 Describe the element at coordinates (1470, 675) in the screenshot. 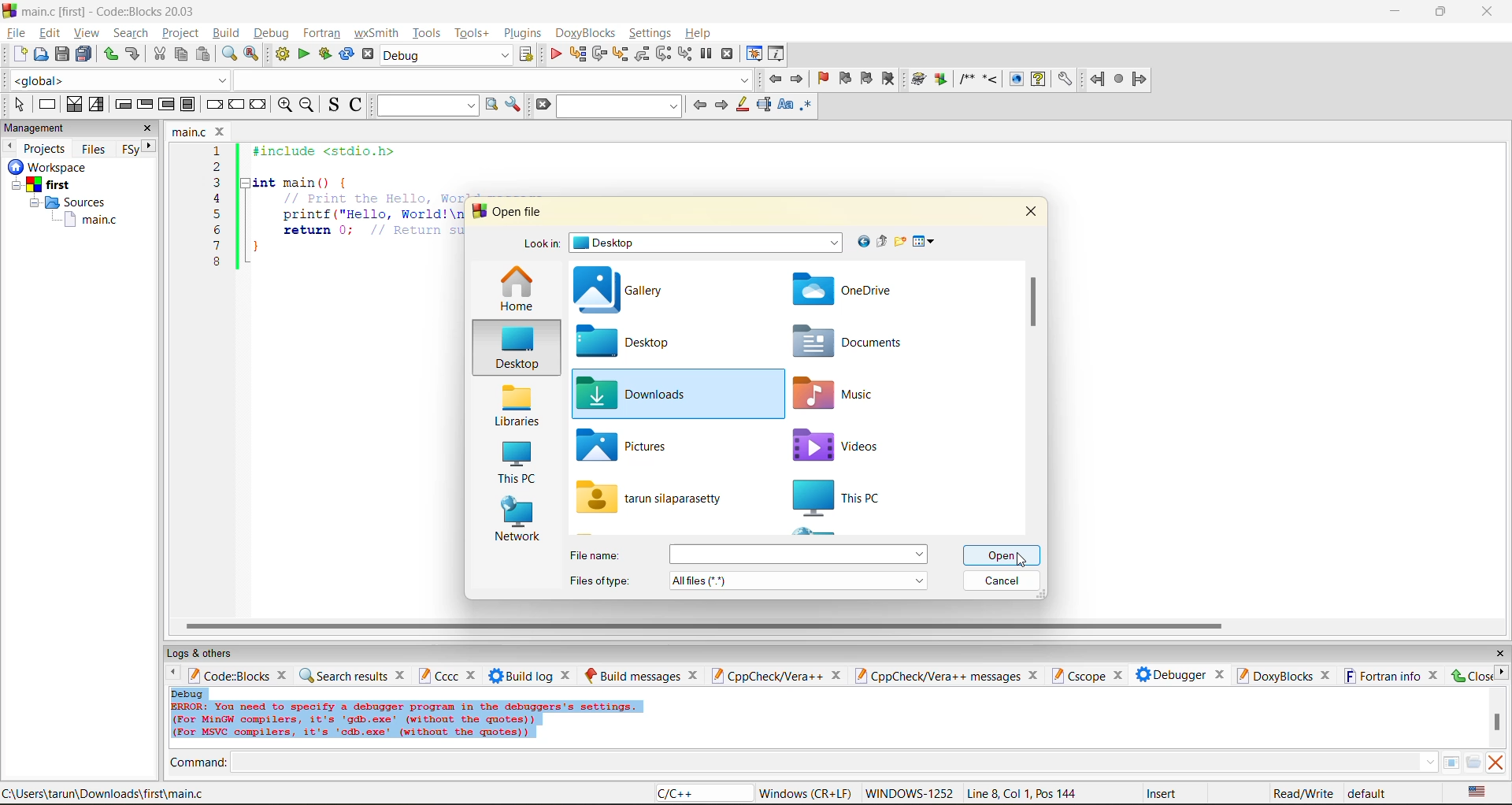

I see `close` at that location.